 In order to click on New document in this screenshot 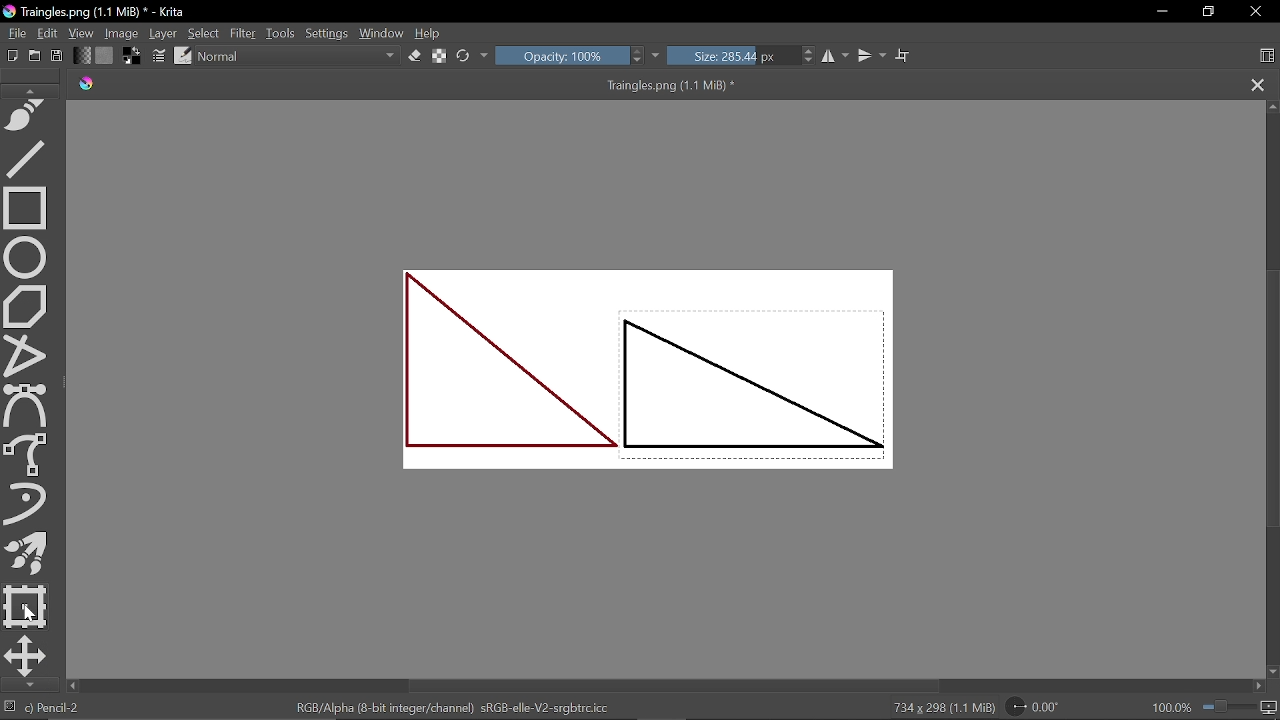, I will do `click(10, 54)`.